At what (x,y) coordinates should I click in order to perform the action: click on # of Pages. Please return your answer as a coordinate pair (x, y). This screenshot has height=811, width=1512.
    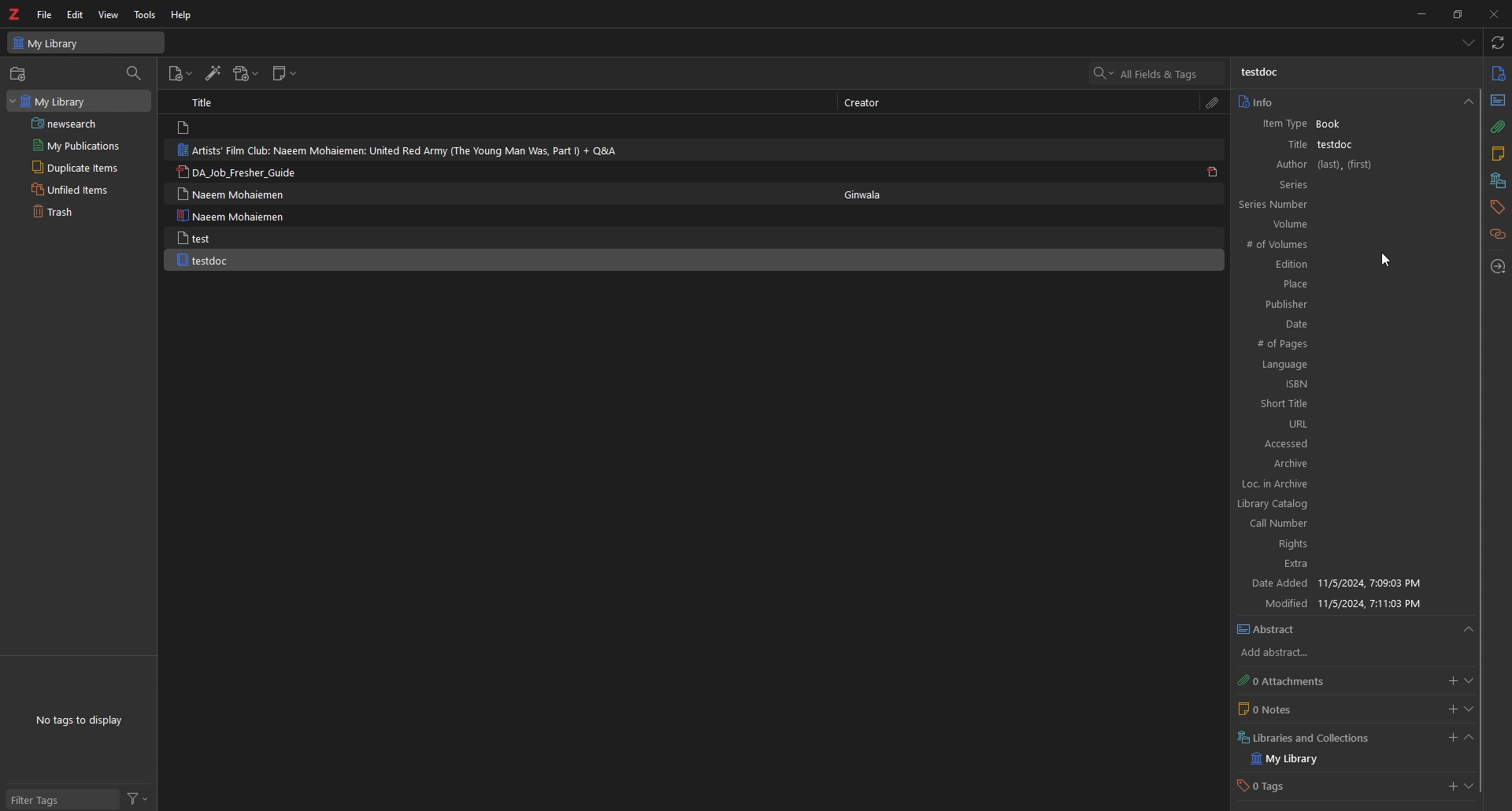
    Looking at the image, I should click on (1294, 345).